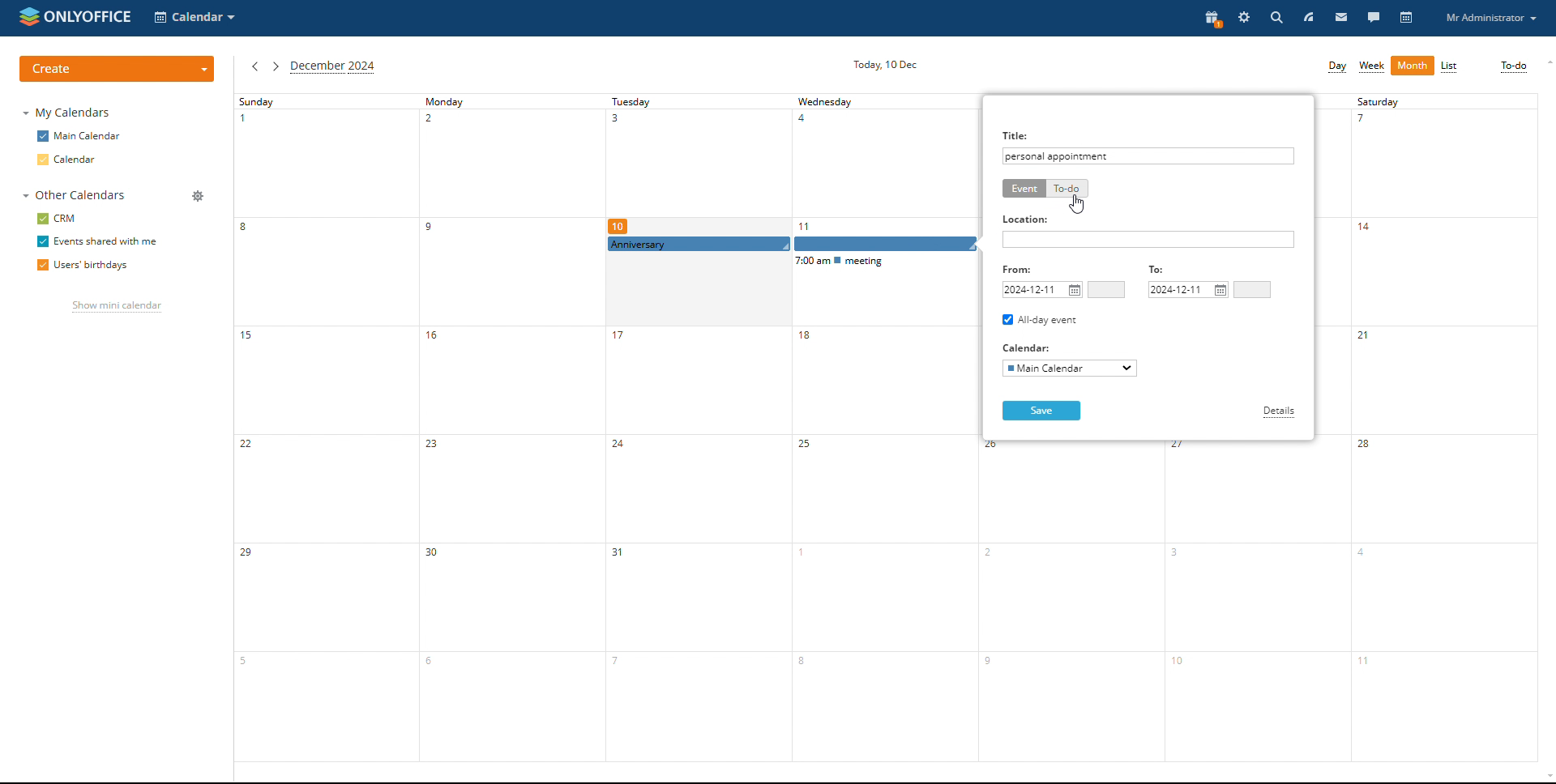 This screenshot has height=784, width=1556. Describe the element at coordinates (792, 245) in the screenshot. I see `event being created` at that location.